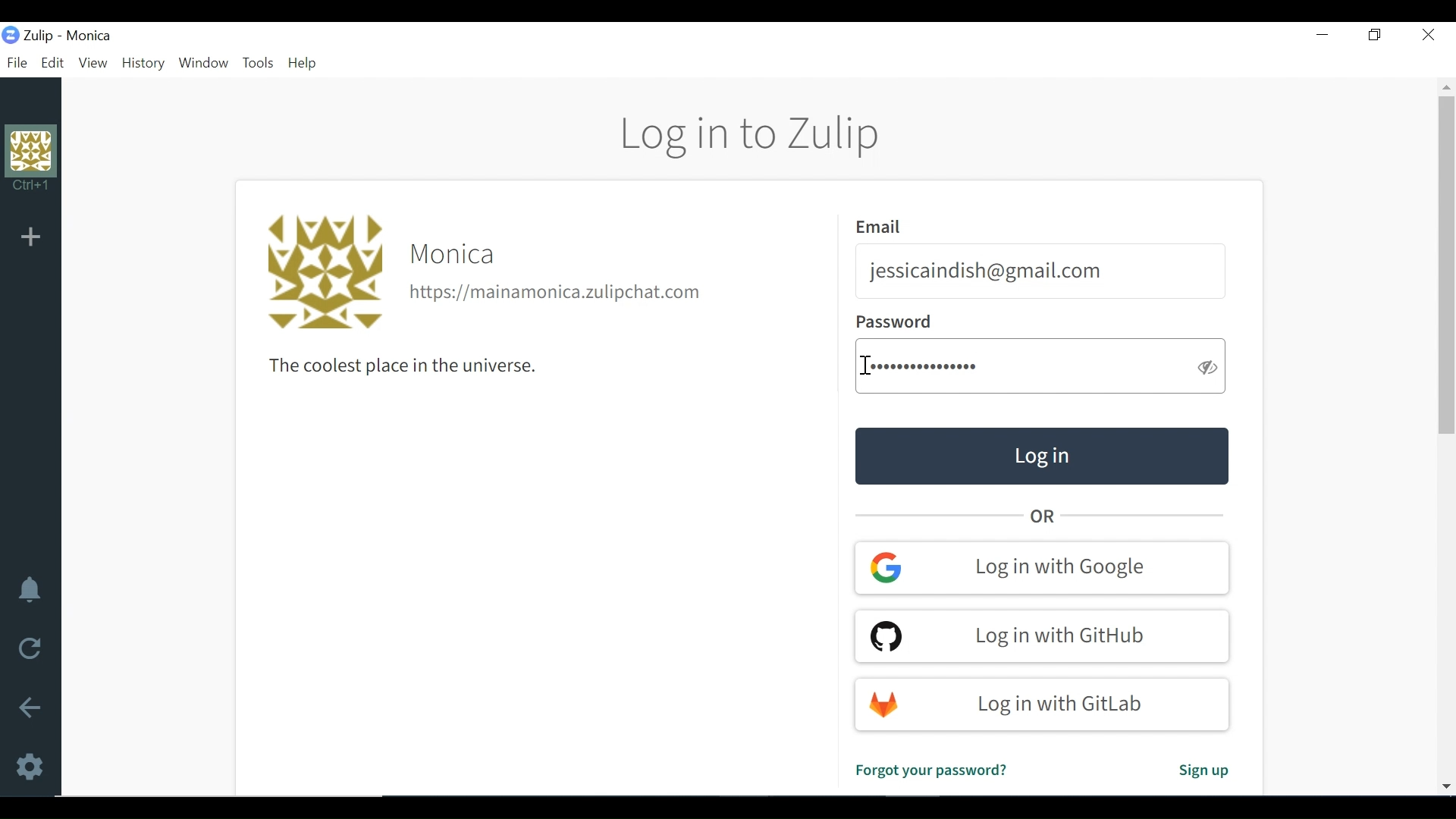 The width and height of the screenshot is (1456, 819). I want to click on Sign up, so click(1202, 773).